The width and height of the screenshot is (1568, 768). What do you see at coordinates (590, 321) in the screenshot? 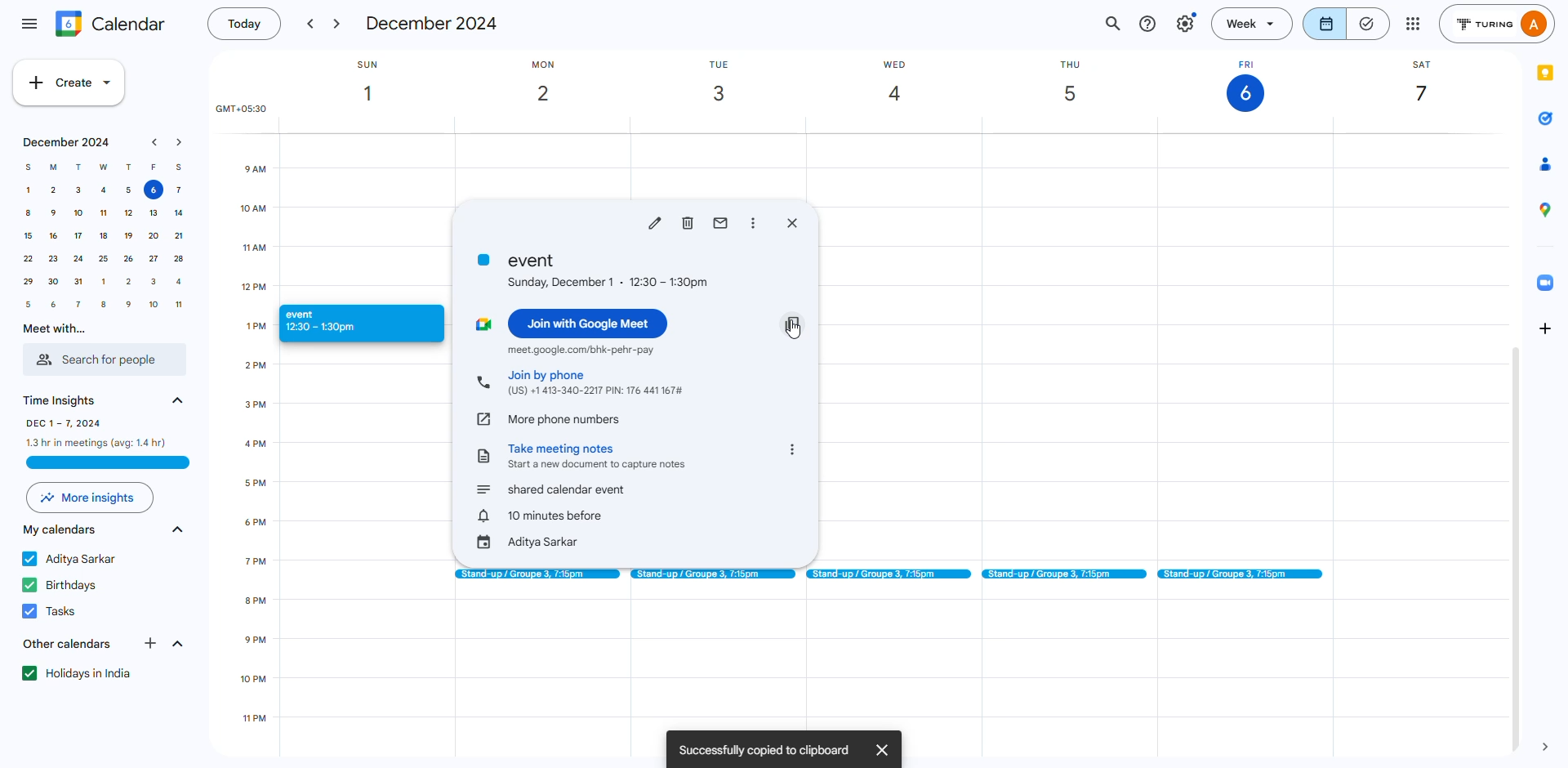
I see `joi` at bounding box center [590, 321].